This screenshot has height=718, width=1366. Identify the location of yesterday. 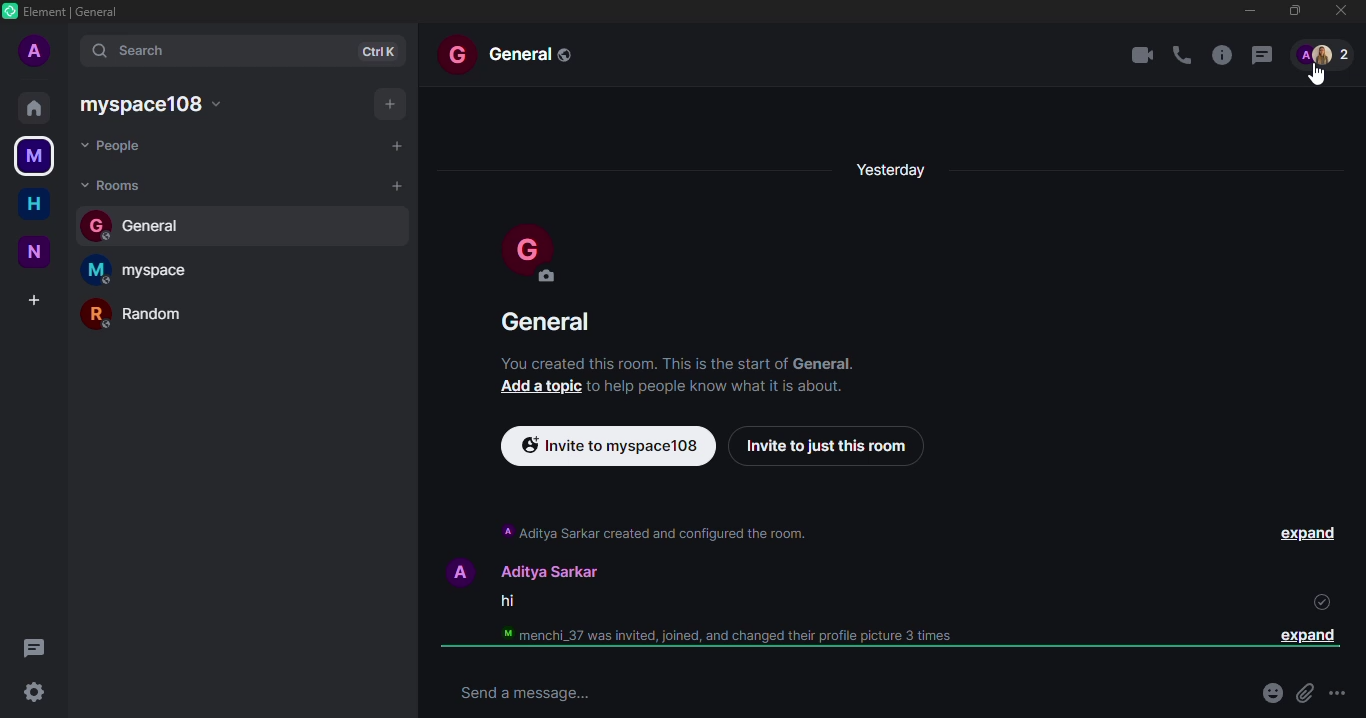
(893, 166).